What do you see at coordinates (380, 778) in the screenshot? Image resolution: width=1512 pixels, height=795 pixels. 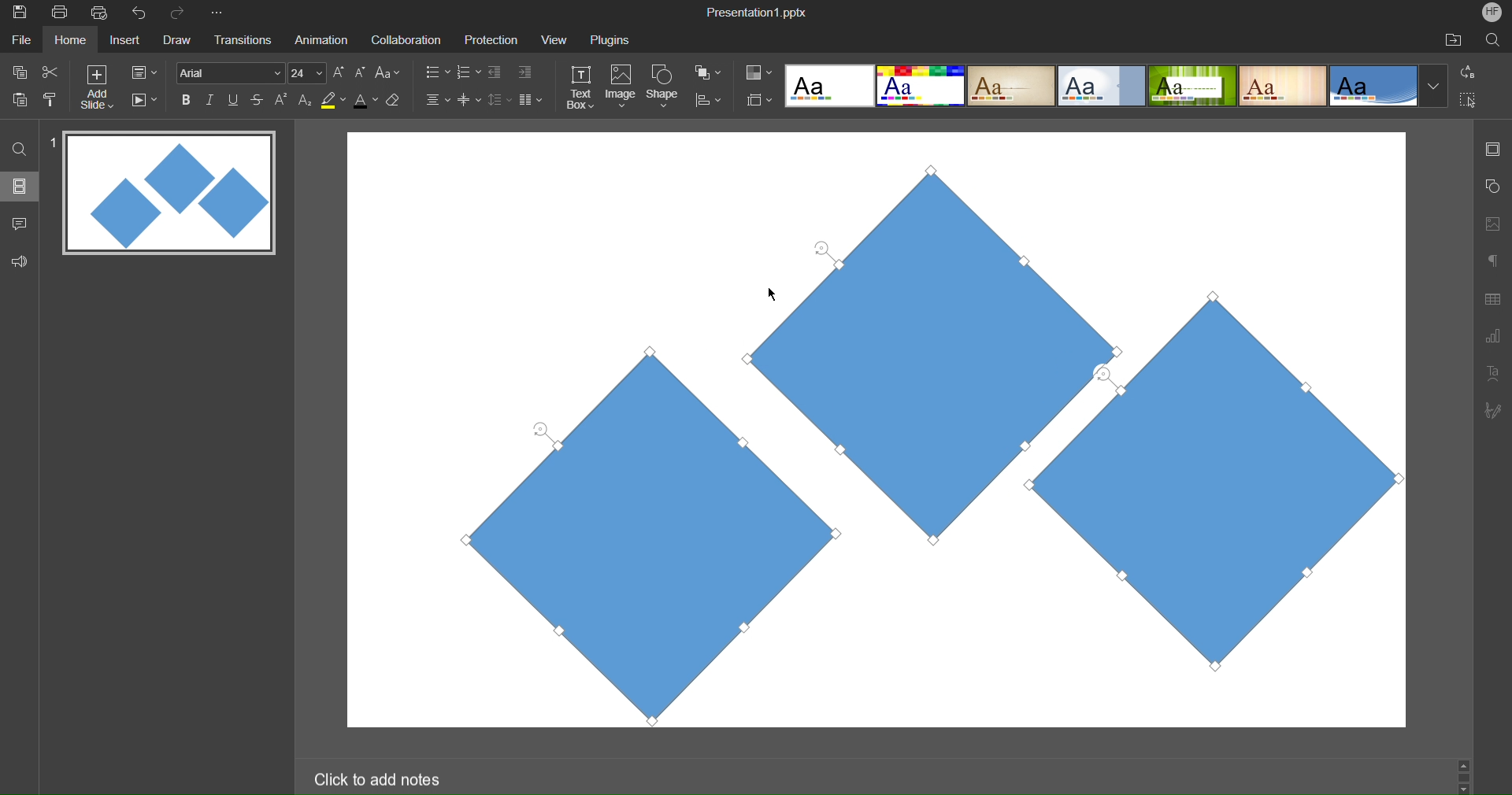 I see `click to add notes` at bounding box center [380, 778].